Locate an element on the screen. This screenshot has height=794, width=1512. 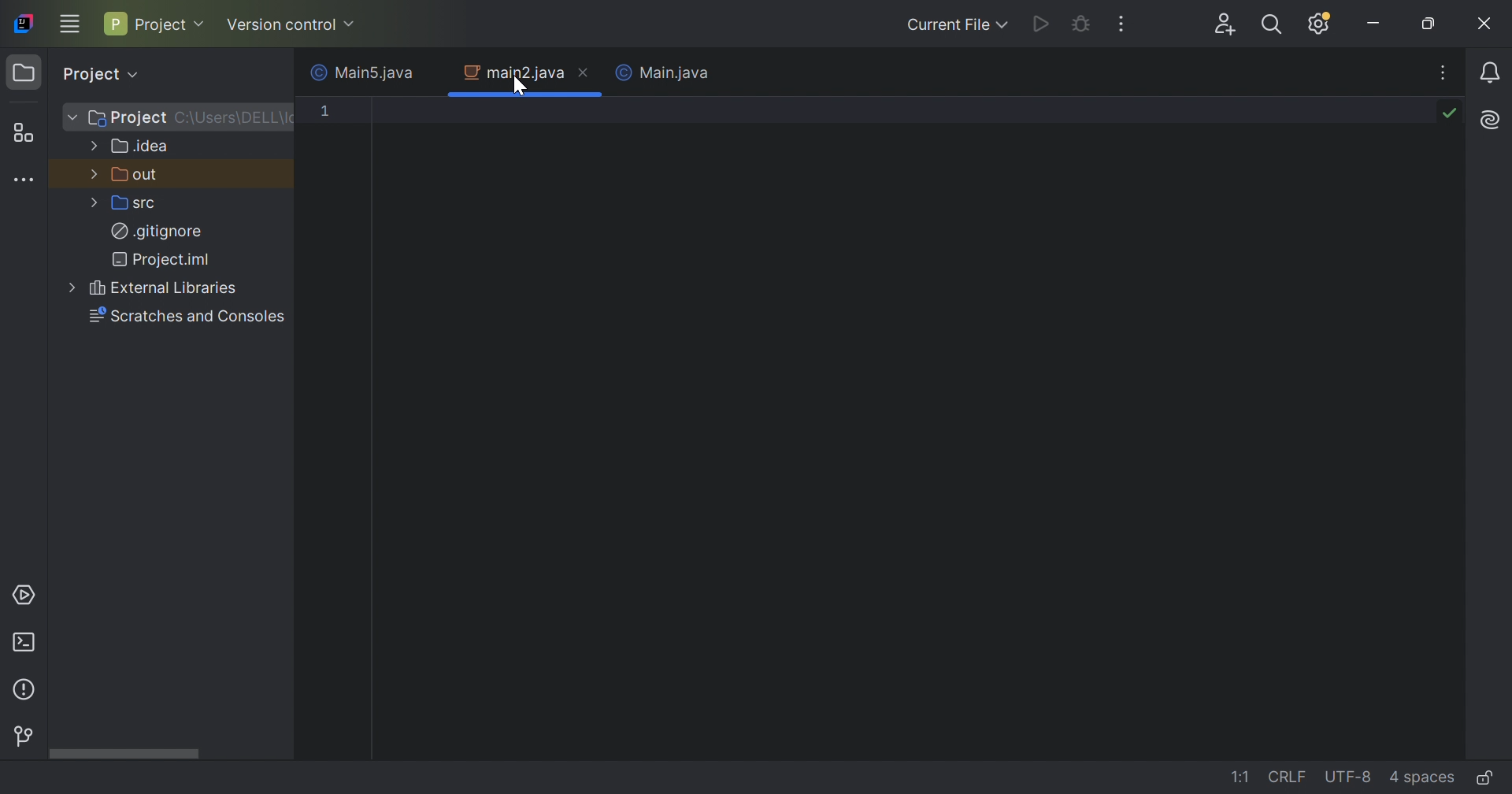
IntelliJ IDEA icon is located at coordinates (23, 21).